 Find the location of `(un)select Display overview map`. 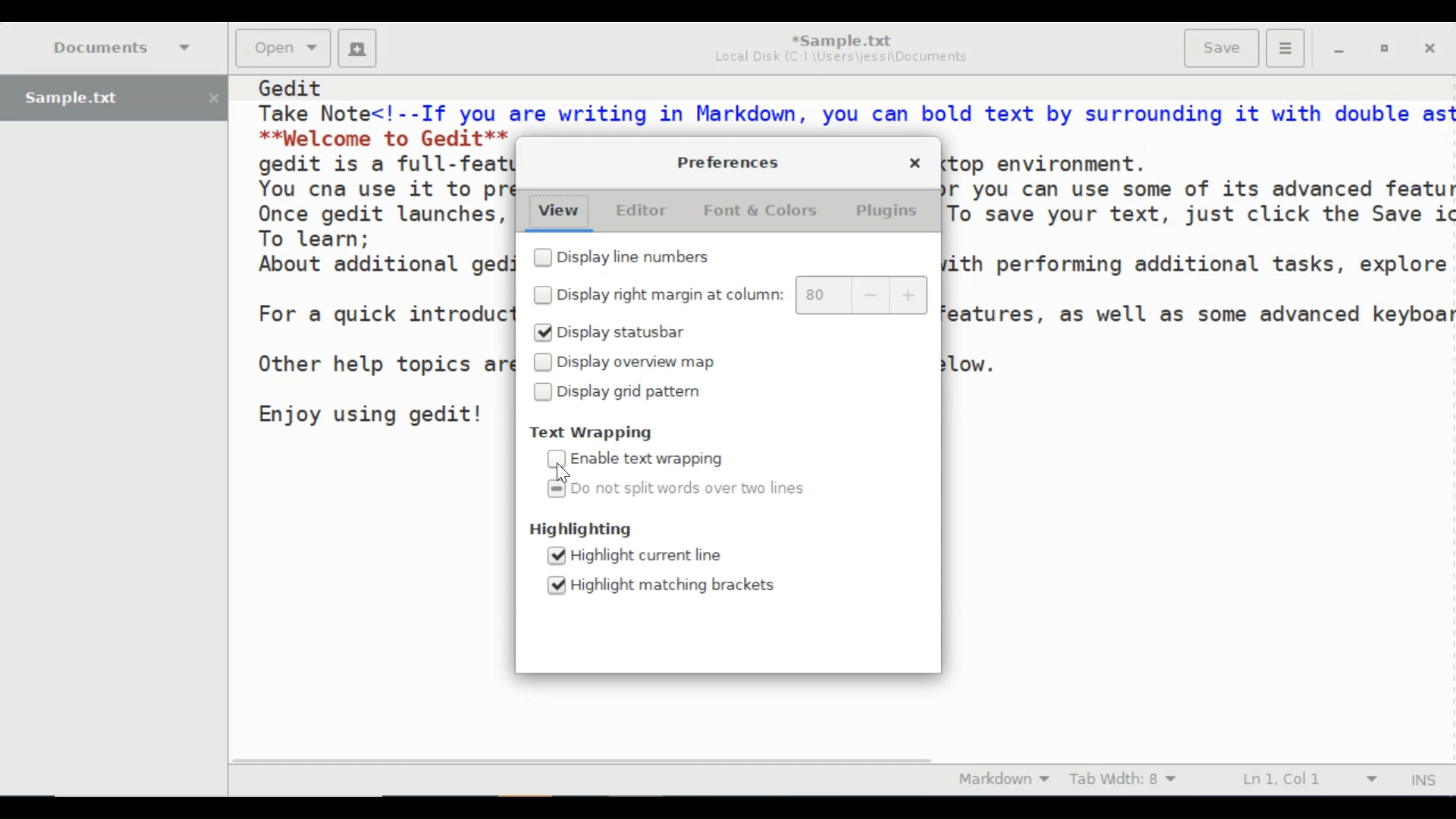

(un)select Display overview map is located at coordinates (626, 363).